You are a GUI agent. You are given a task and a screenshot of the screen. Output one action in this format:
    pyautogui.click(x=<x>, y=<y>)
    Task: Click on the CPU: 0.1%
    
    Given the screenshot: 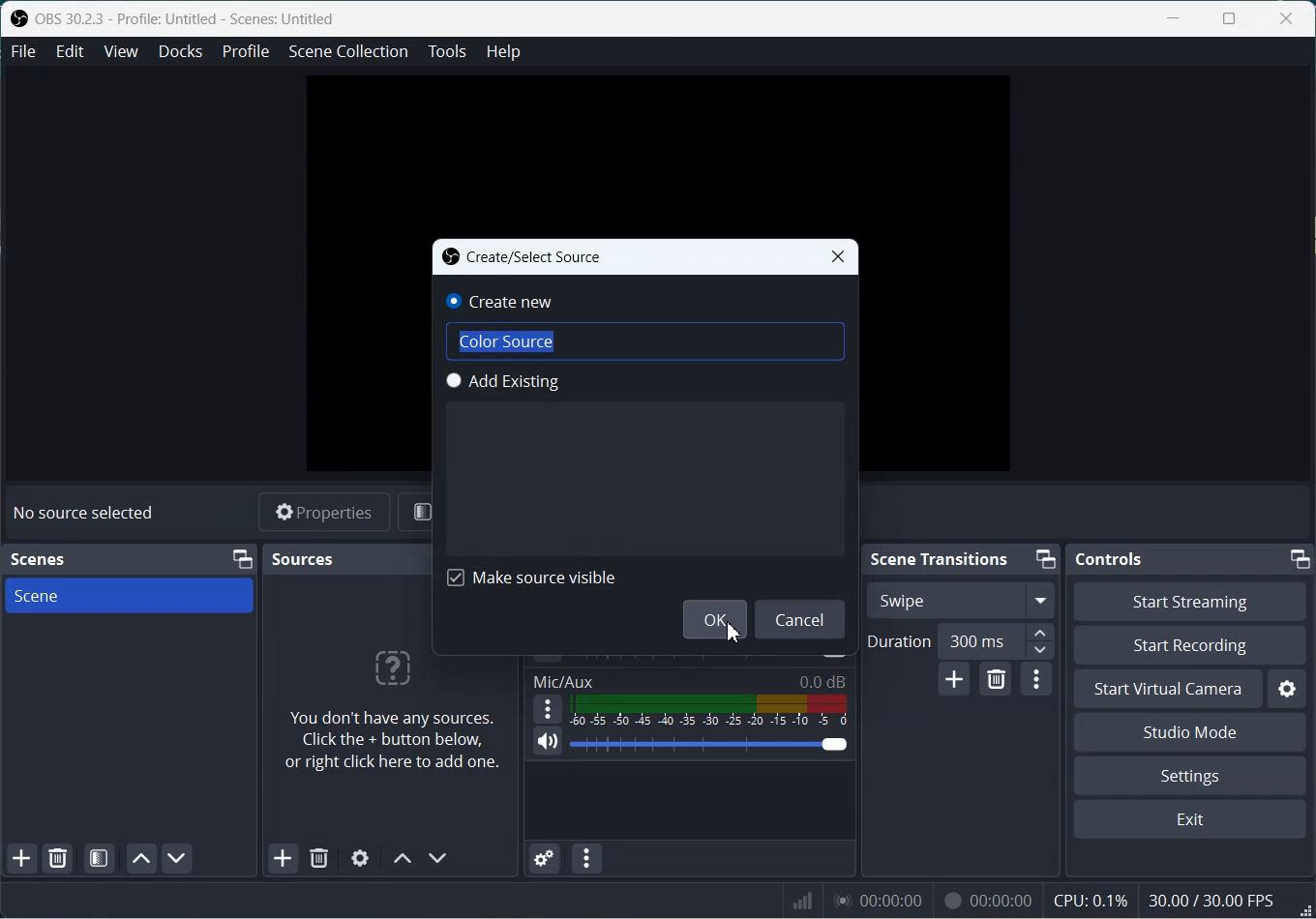 What is the action you would take?
    pyautogui.click(x=1089, y=900)
    